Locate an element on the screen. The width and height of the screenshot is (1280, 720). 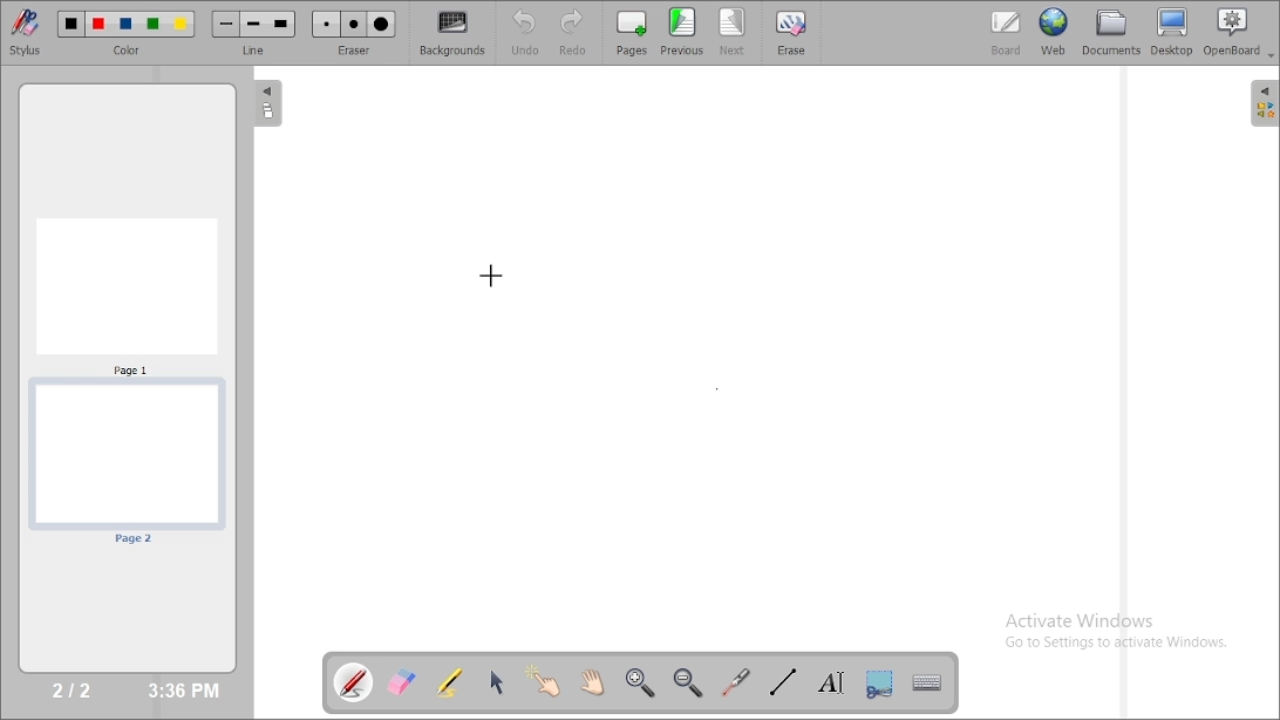
Color 5 is located at coordinates (181, 24).